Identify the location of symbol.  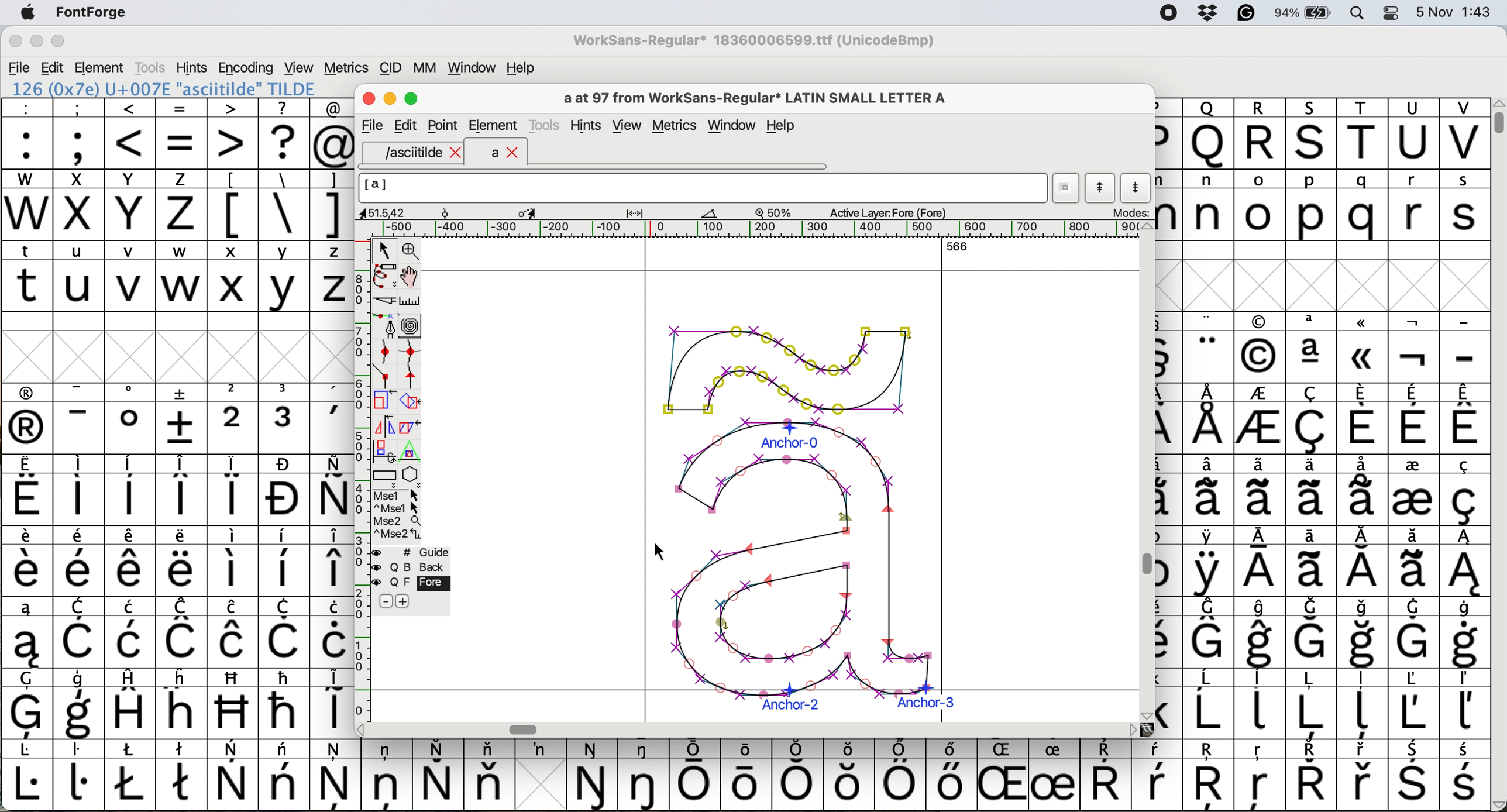
(80, 562).